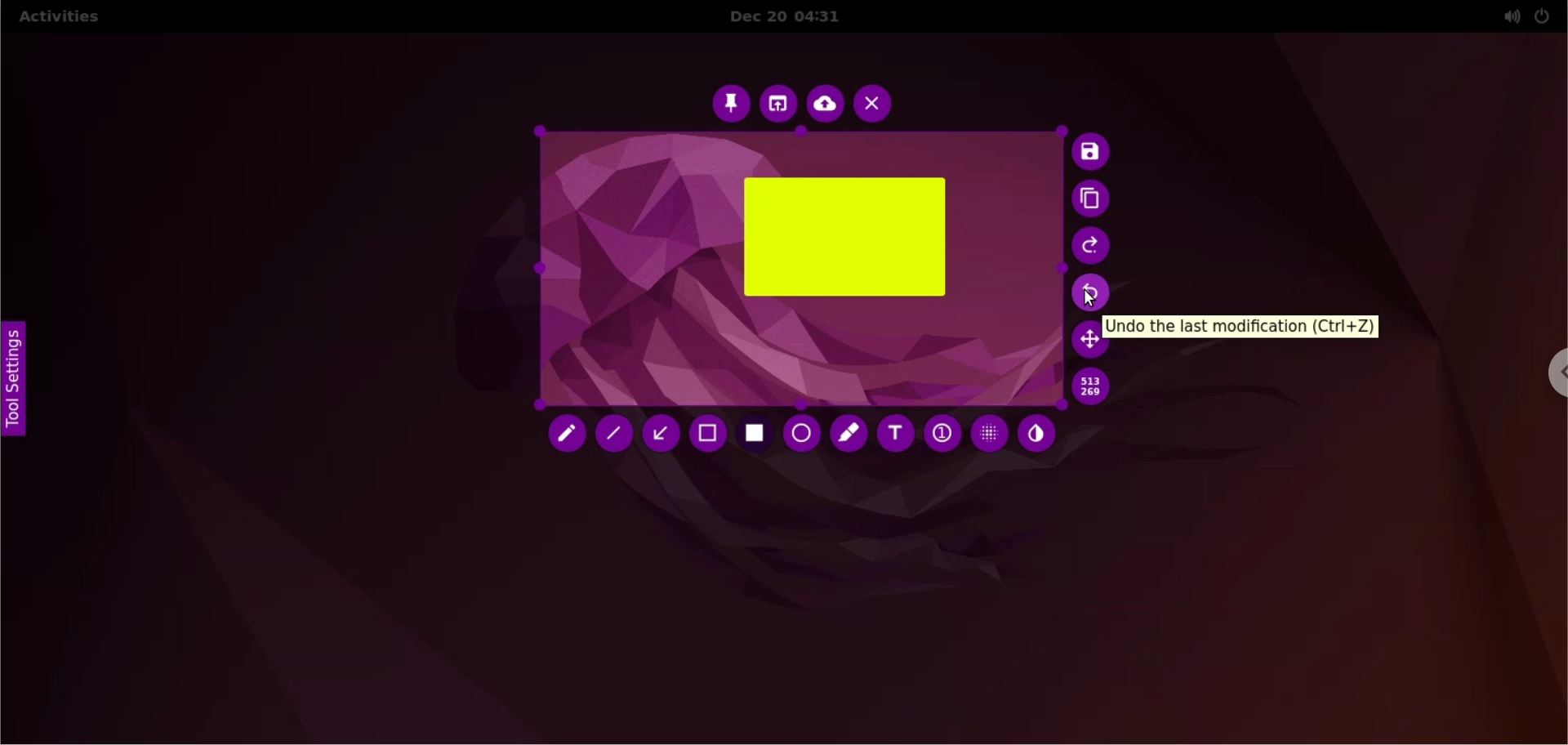 The image size is (1568, 745). I want to click on chrome options, so click(1555, 373).